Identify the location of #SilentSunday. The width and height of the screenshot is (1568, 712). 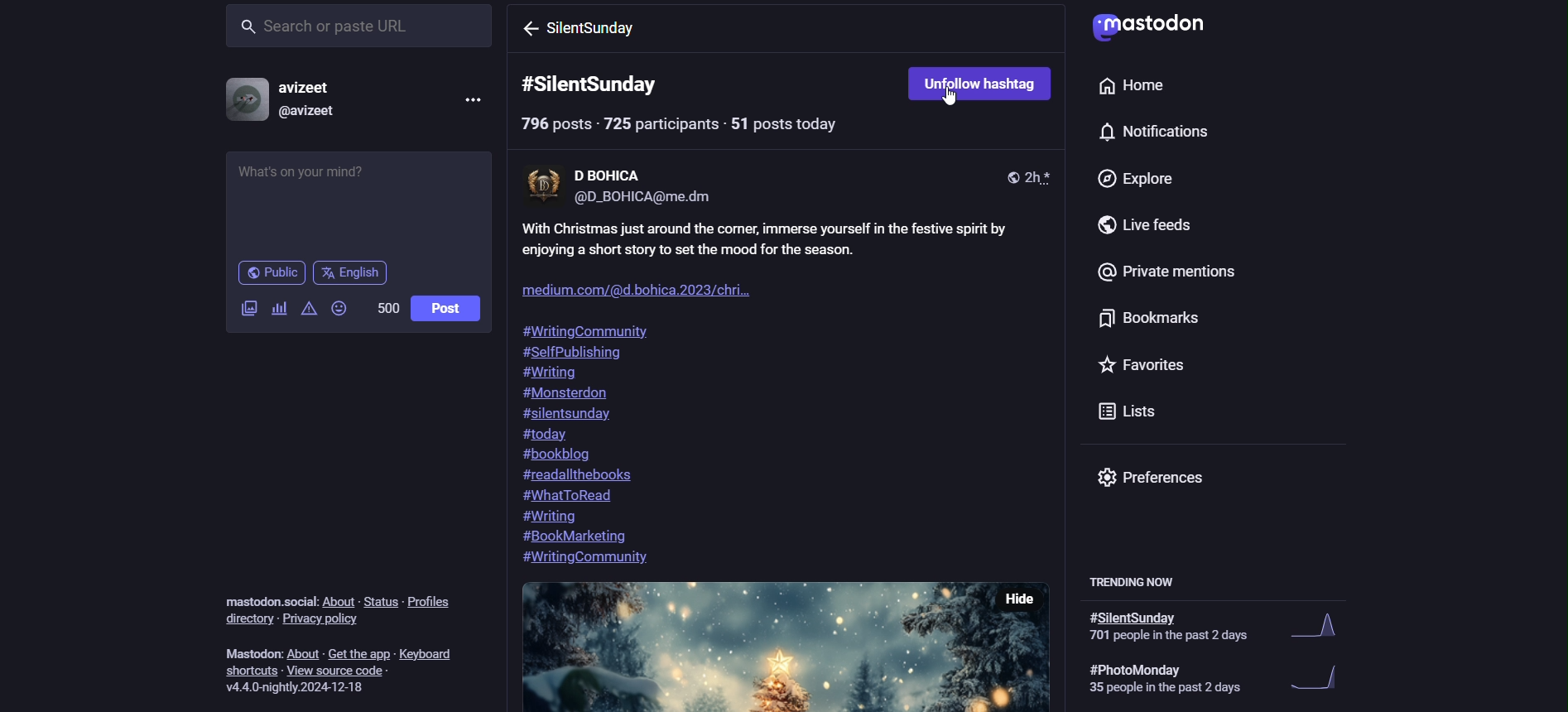
(598, 84).